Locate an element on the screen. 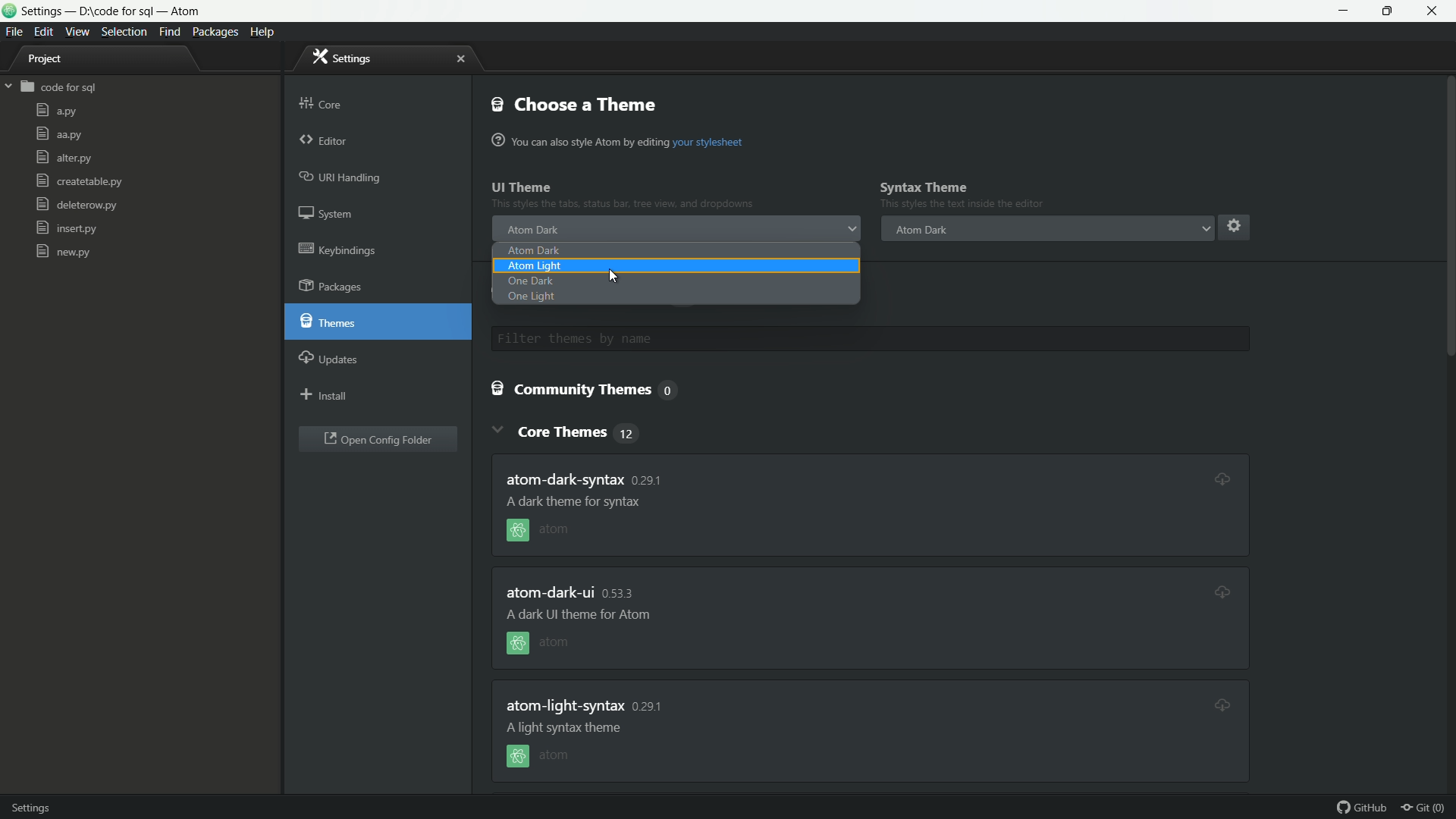 The image size is (1456, 819). view menu is located at coordinates (78, 32).